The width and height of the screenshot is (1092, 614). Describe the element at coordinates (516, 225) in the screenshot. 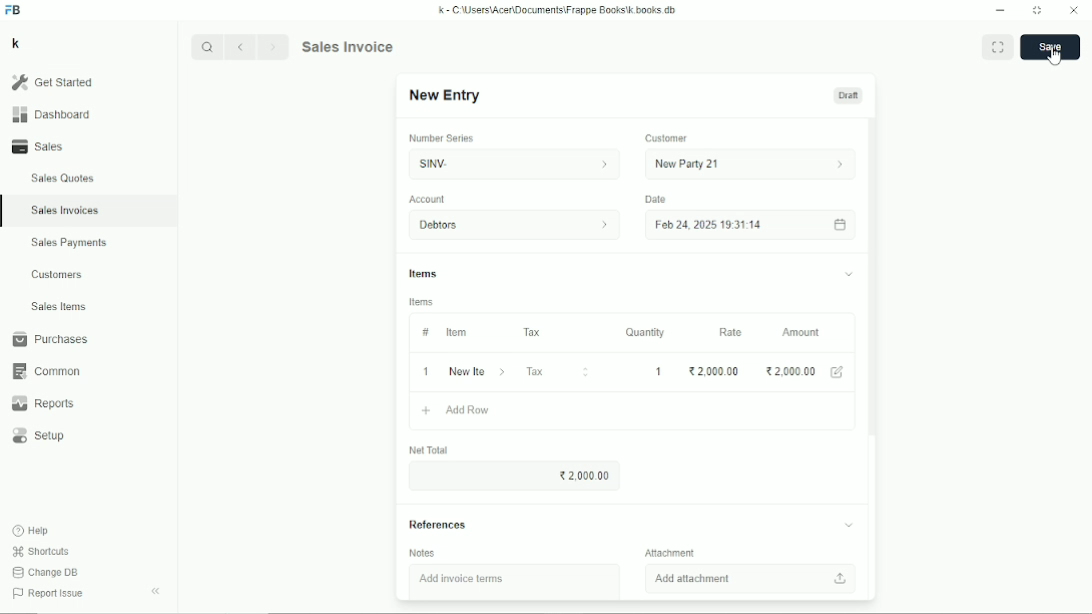

I see `Debtors` at that location.